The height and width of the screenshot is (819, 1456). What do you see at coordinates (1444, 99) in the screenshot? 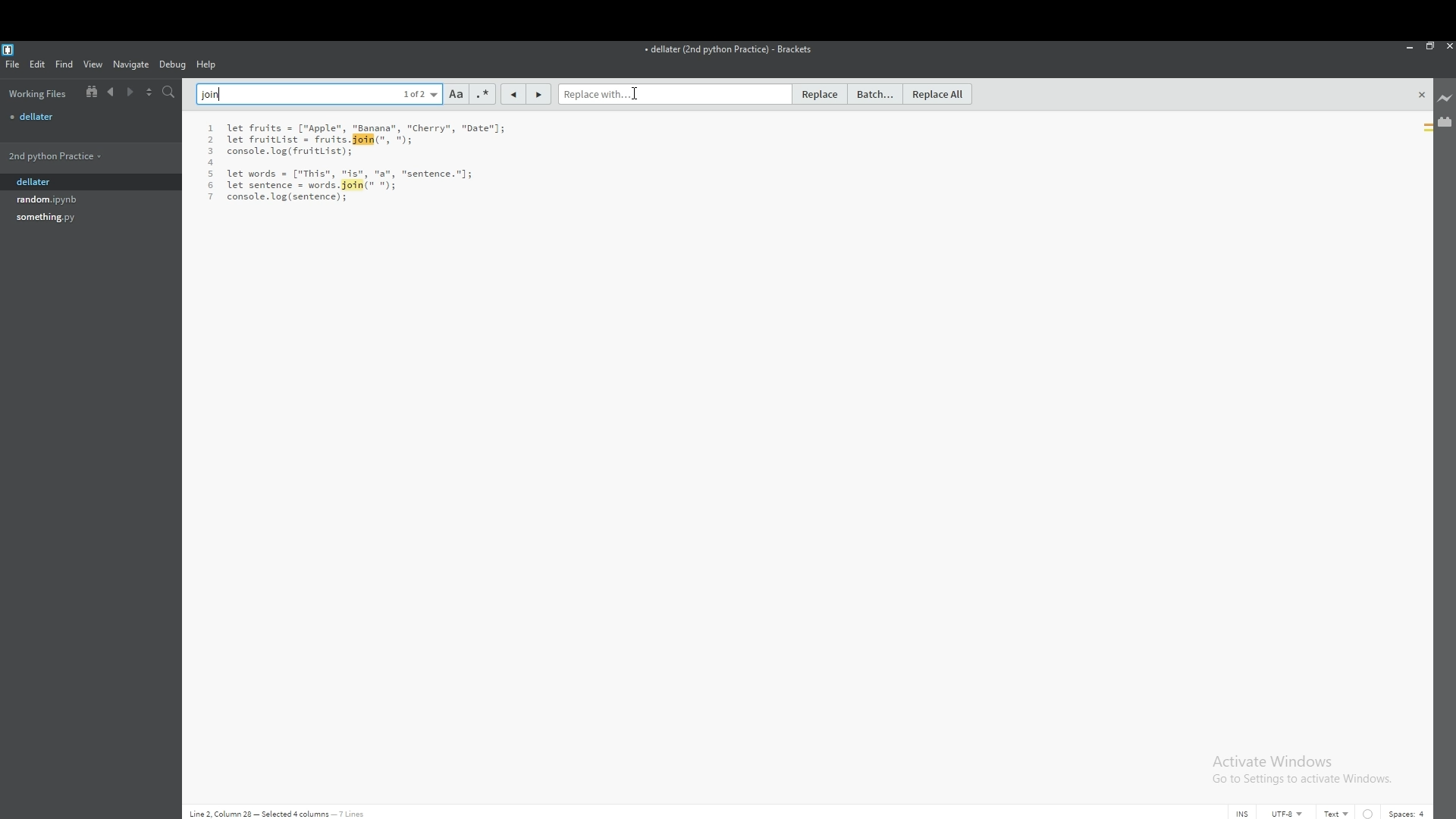
I see `live preview` at bounding box center [1444, 99].